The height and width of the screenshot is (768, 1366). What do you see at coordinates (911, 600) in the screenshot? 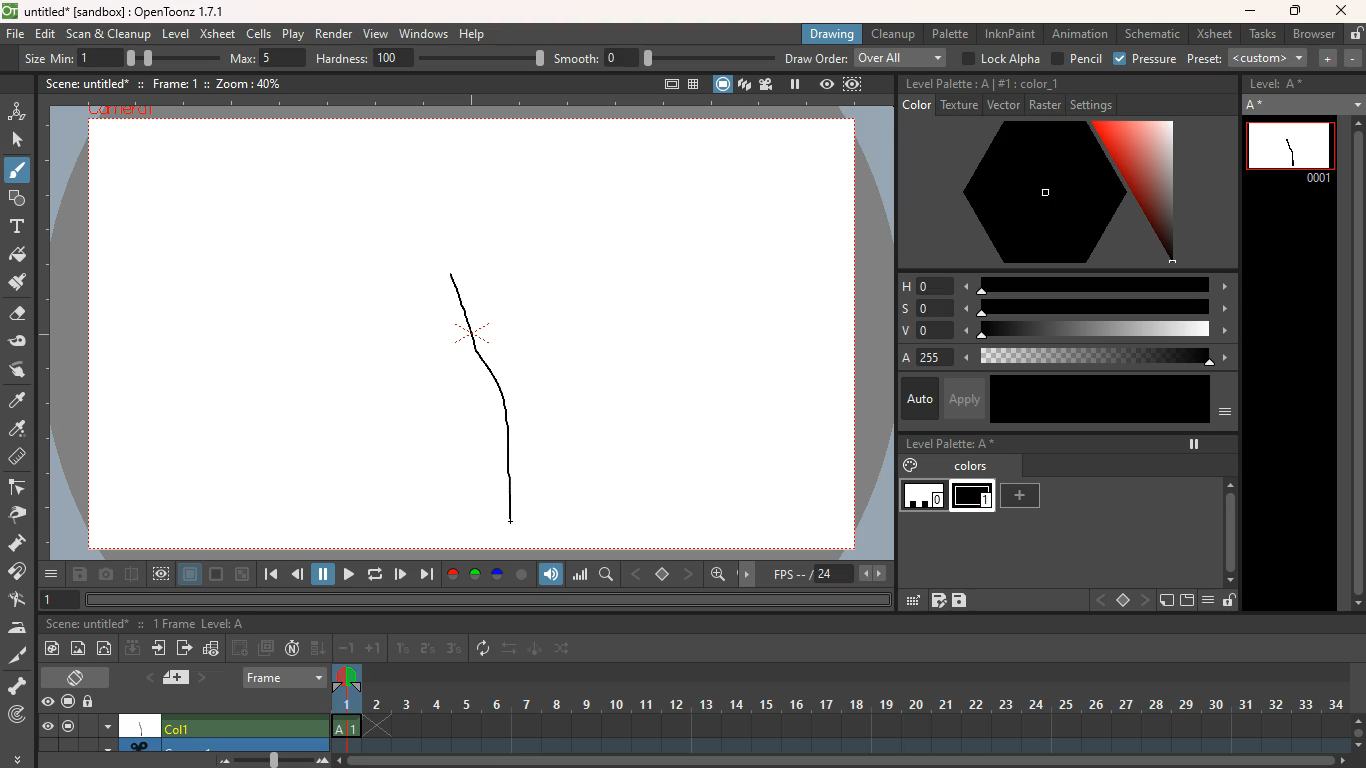
I see `edit` at bounding box center [911, 600].